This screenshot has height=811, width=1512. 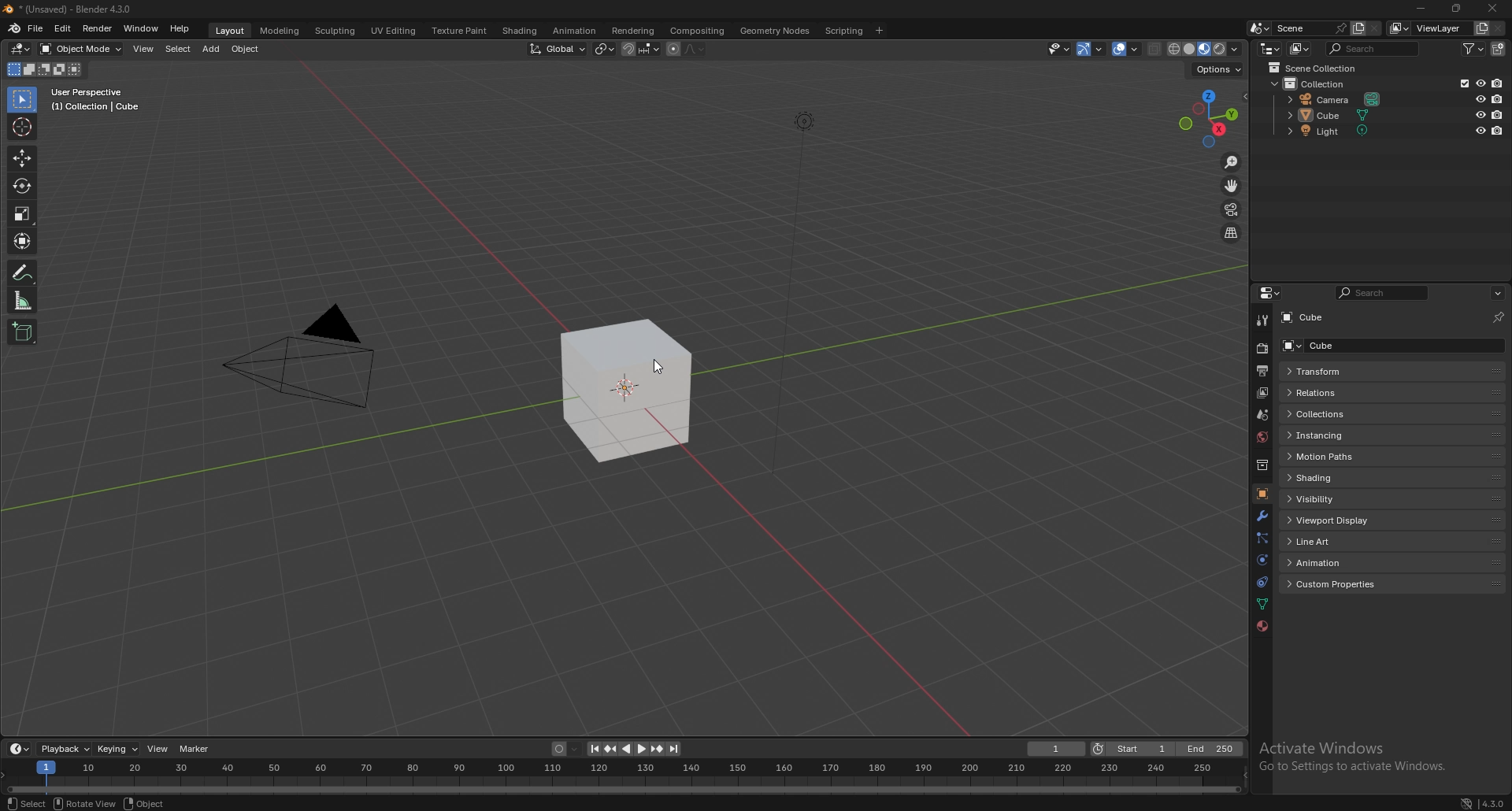 I want to click on file, so click(x=37, y=28).